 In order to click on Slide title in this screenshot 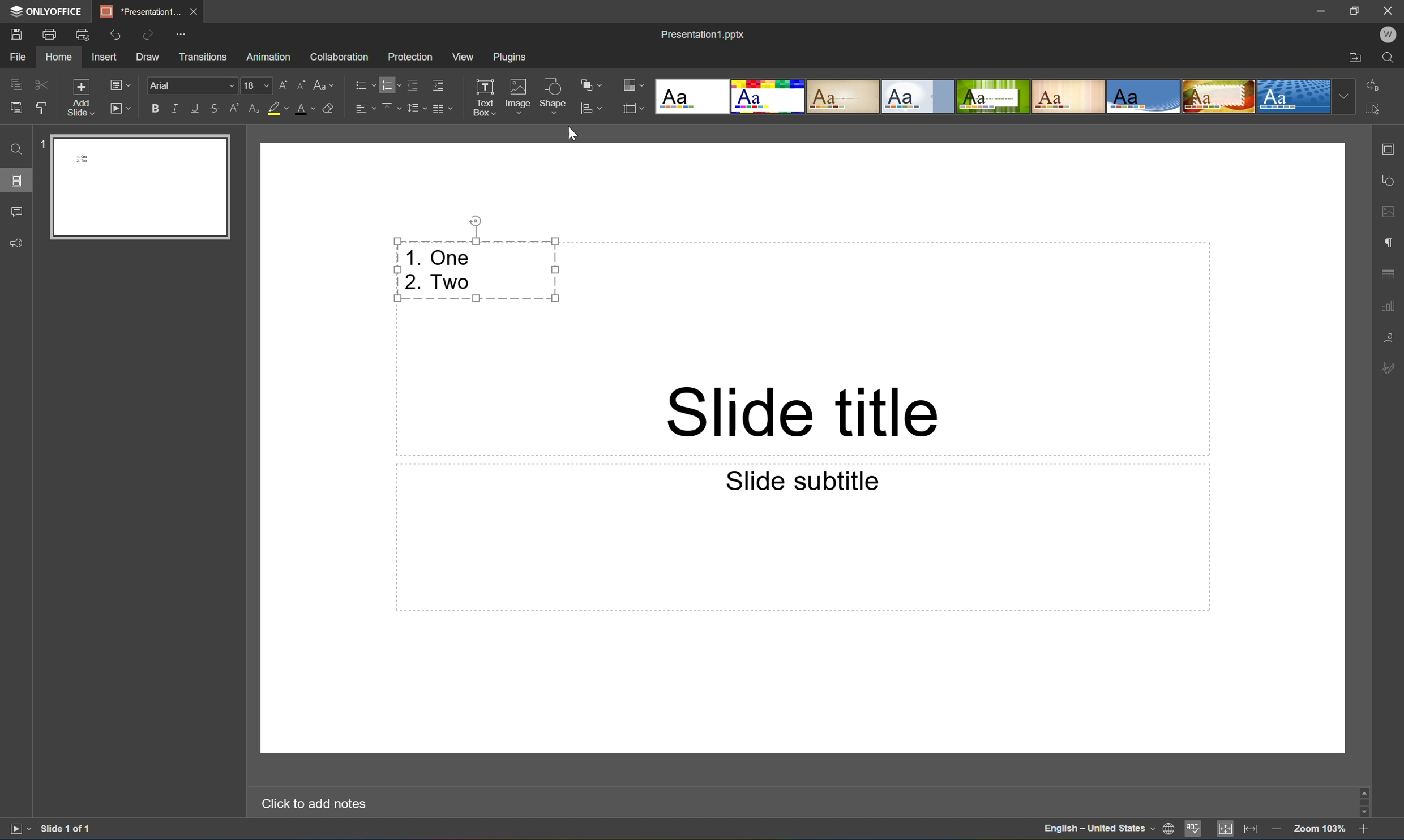, I will do `click(802, 412)`.